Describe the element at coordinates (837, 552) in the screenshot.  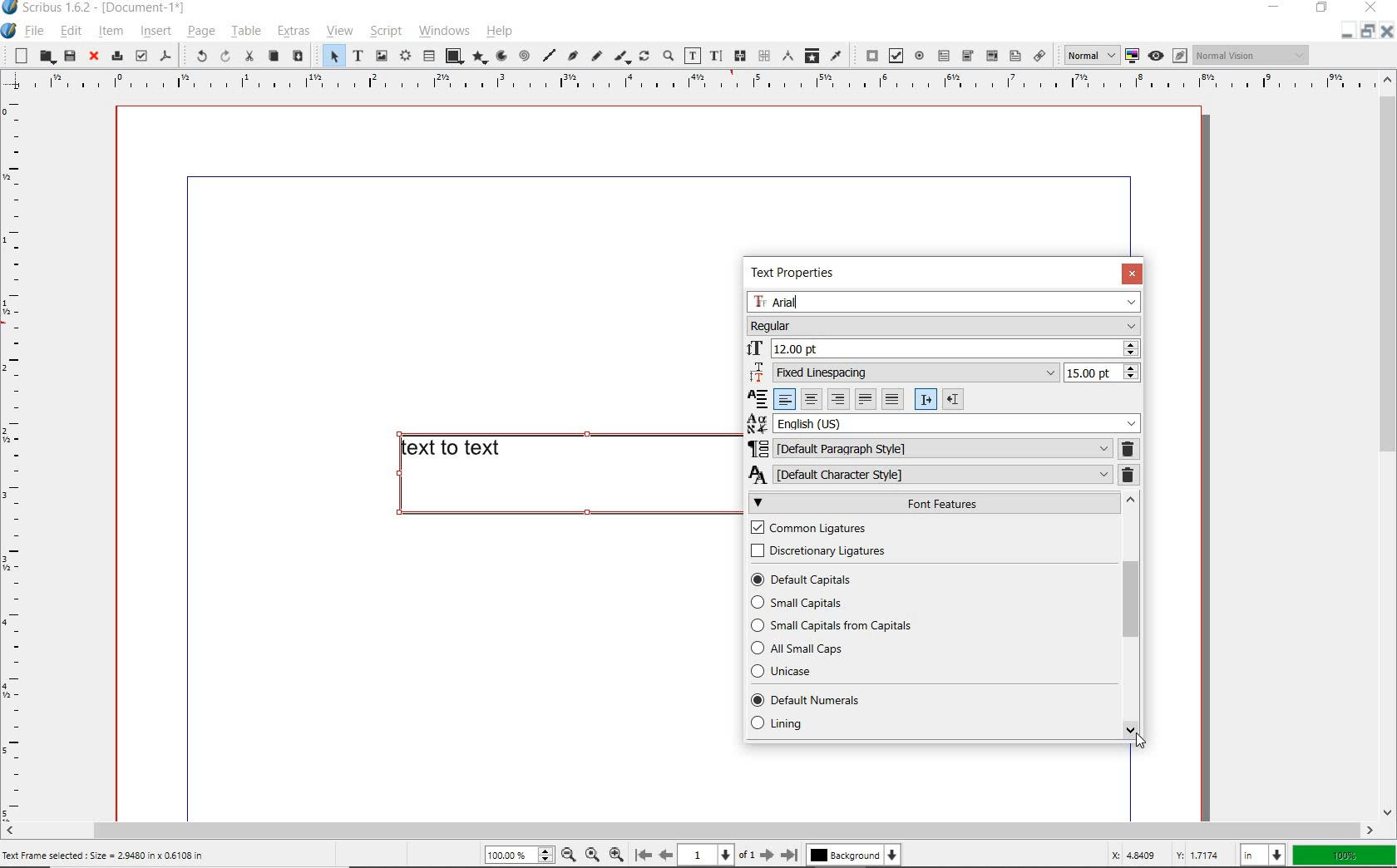
I see `DISCRETIONARY LIGATURES` at that location.